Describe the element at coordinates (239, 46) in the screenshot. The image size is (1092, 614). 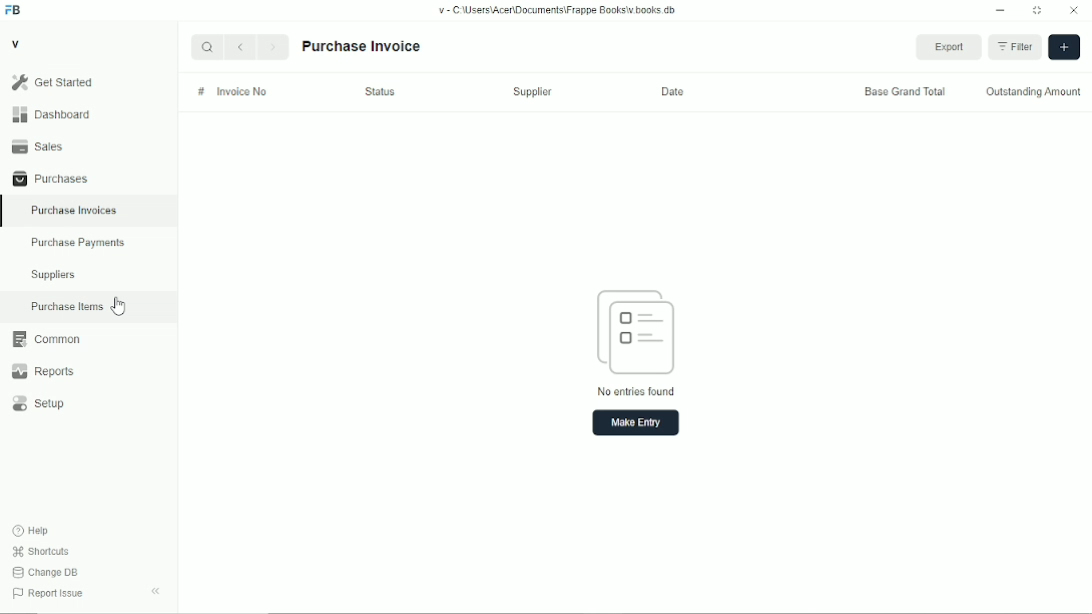
I see `Back` at that location.